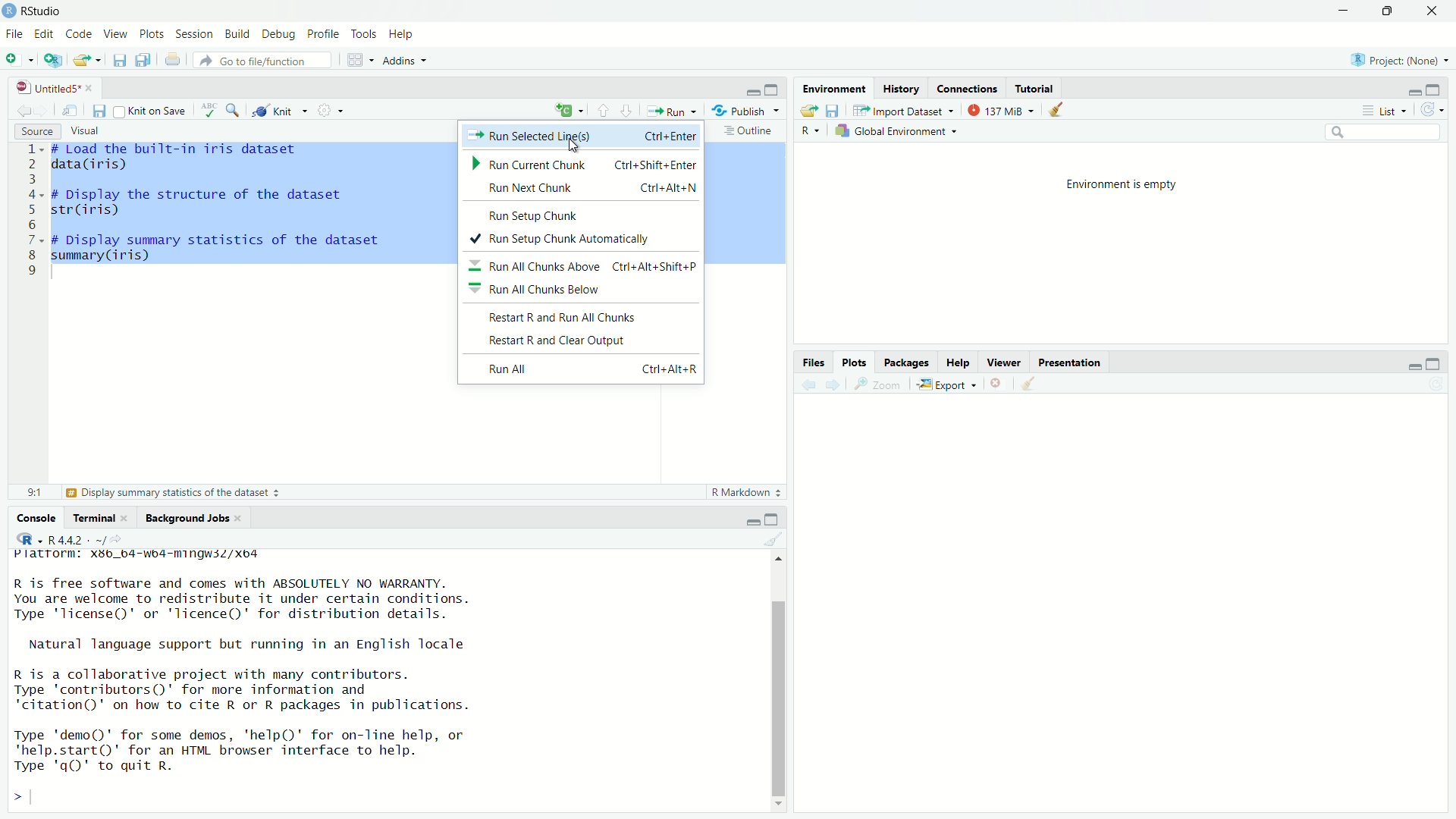  Describe the element at coordinates (1401, 60) in the screenshot. I see `Project: (None)` at that location.